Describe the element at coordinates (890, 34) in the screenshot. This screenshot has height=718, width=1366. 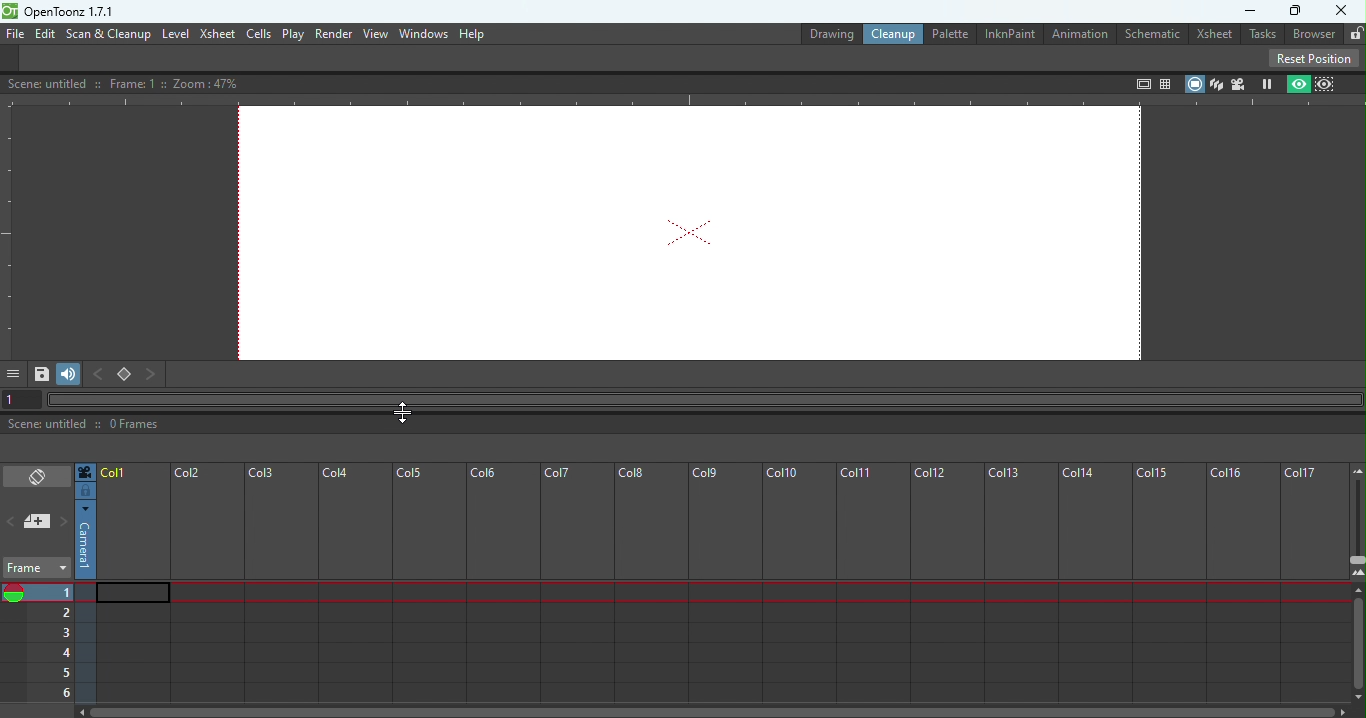
I see `Clean up` at that location.